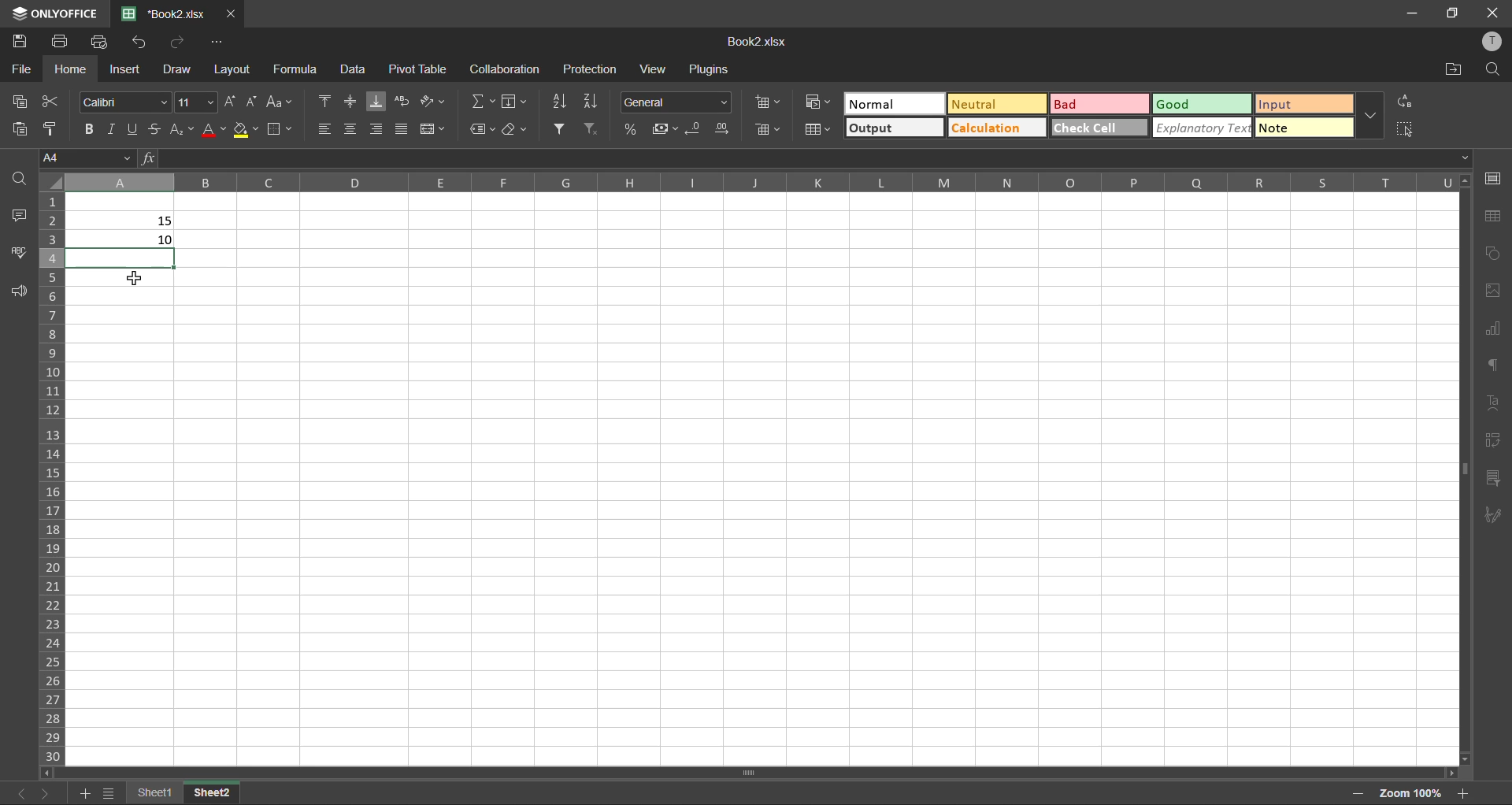  Describe the element at coordinates (134, 280) in the screenshot. I see `cursor` at that location.